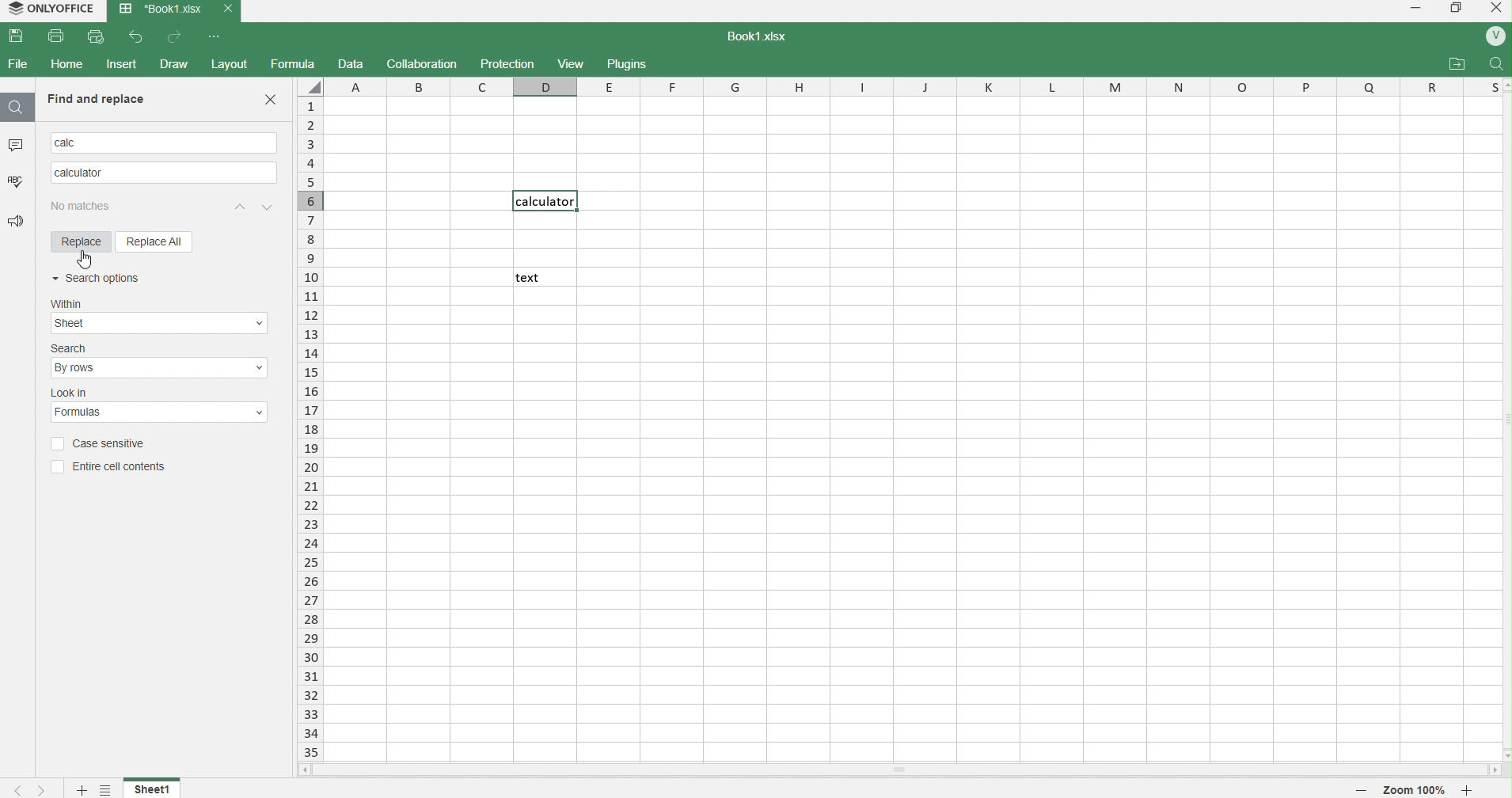 The height and width of the screenshot is (798, 1512). I want to click on zoom in, so click(1469, 789).